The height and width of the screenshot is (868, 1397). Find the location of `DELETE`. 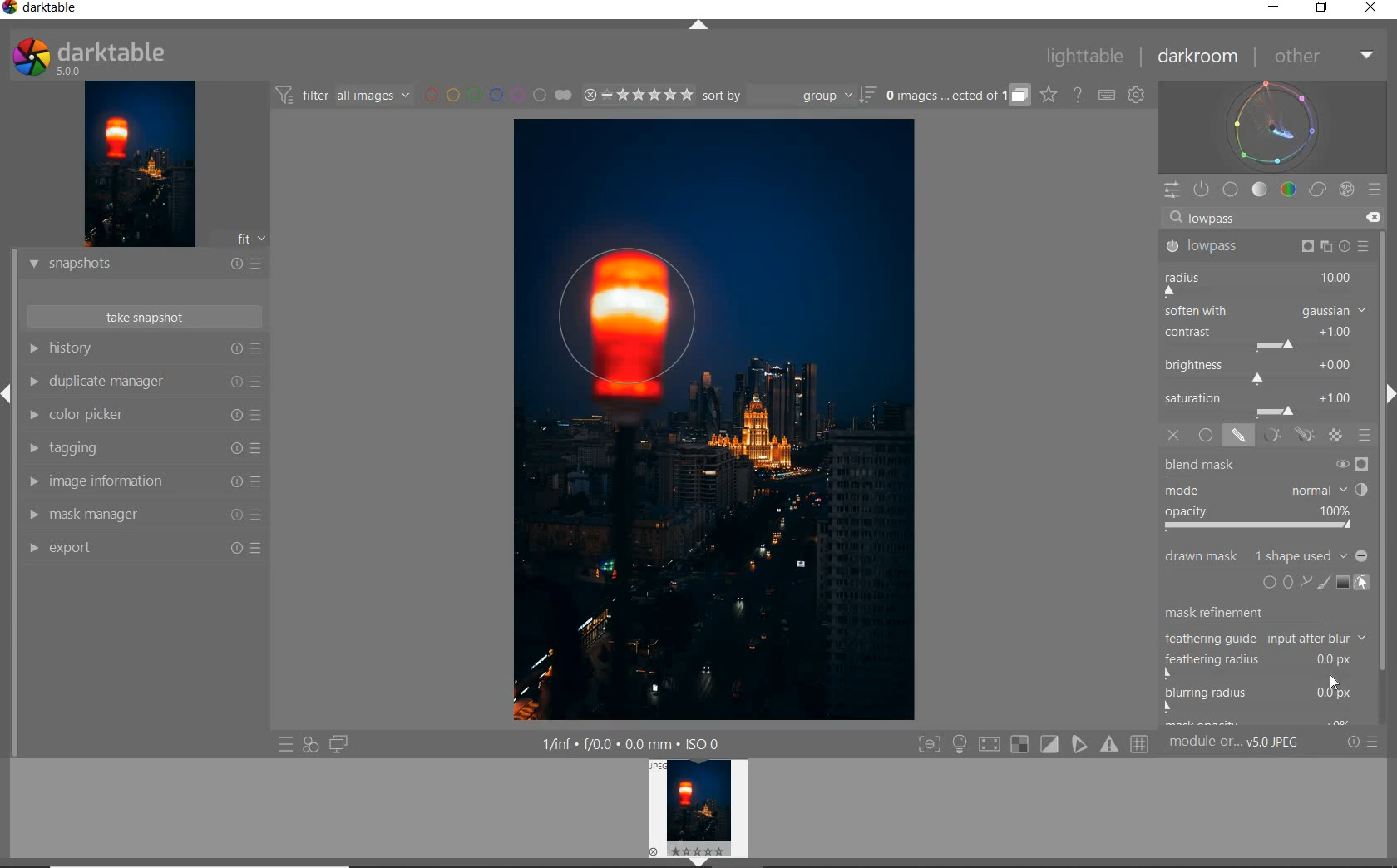

DELETE is located at coordinates (1375, 219).